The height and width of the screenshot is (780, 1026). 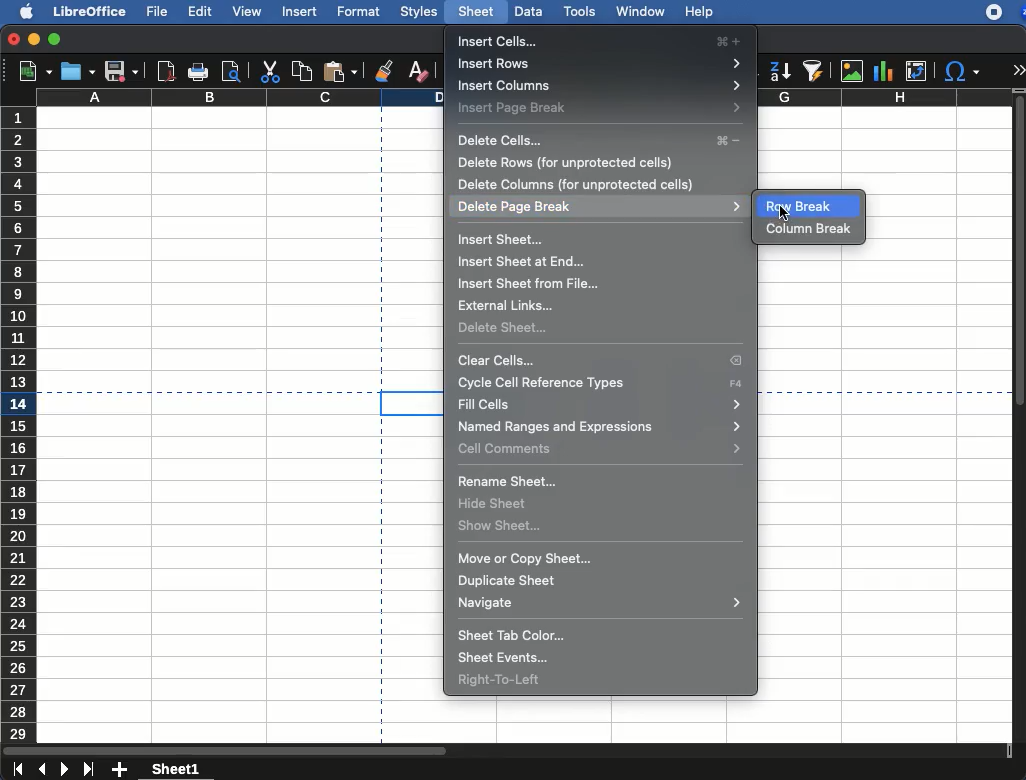 What do you see at coordinates (343, 70) in the screenshot?
I see `paste` at bounding box center [343, 70].